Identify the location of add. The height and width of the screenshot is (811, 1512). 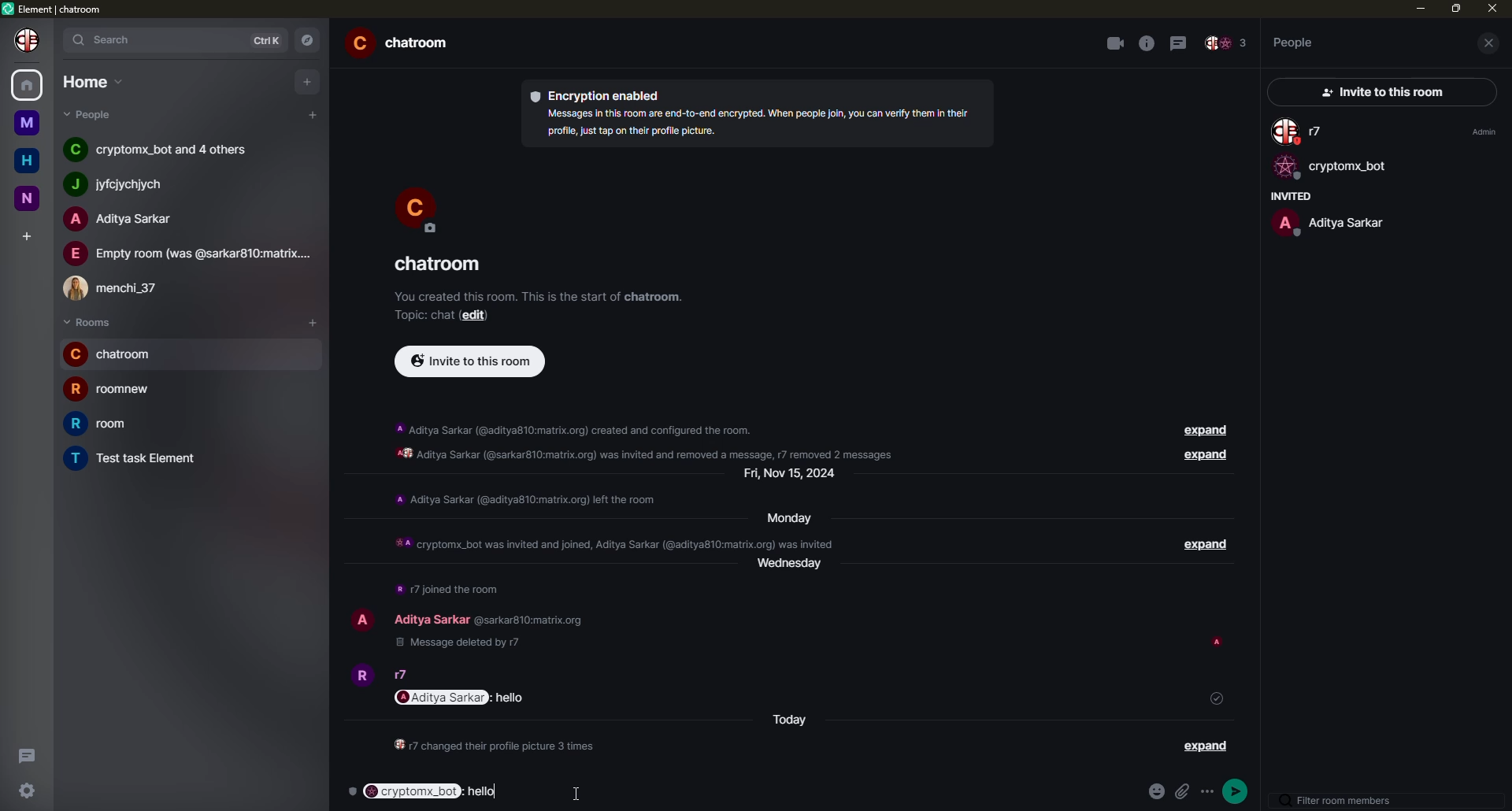
(313, 114).